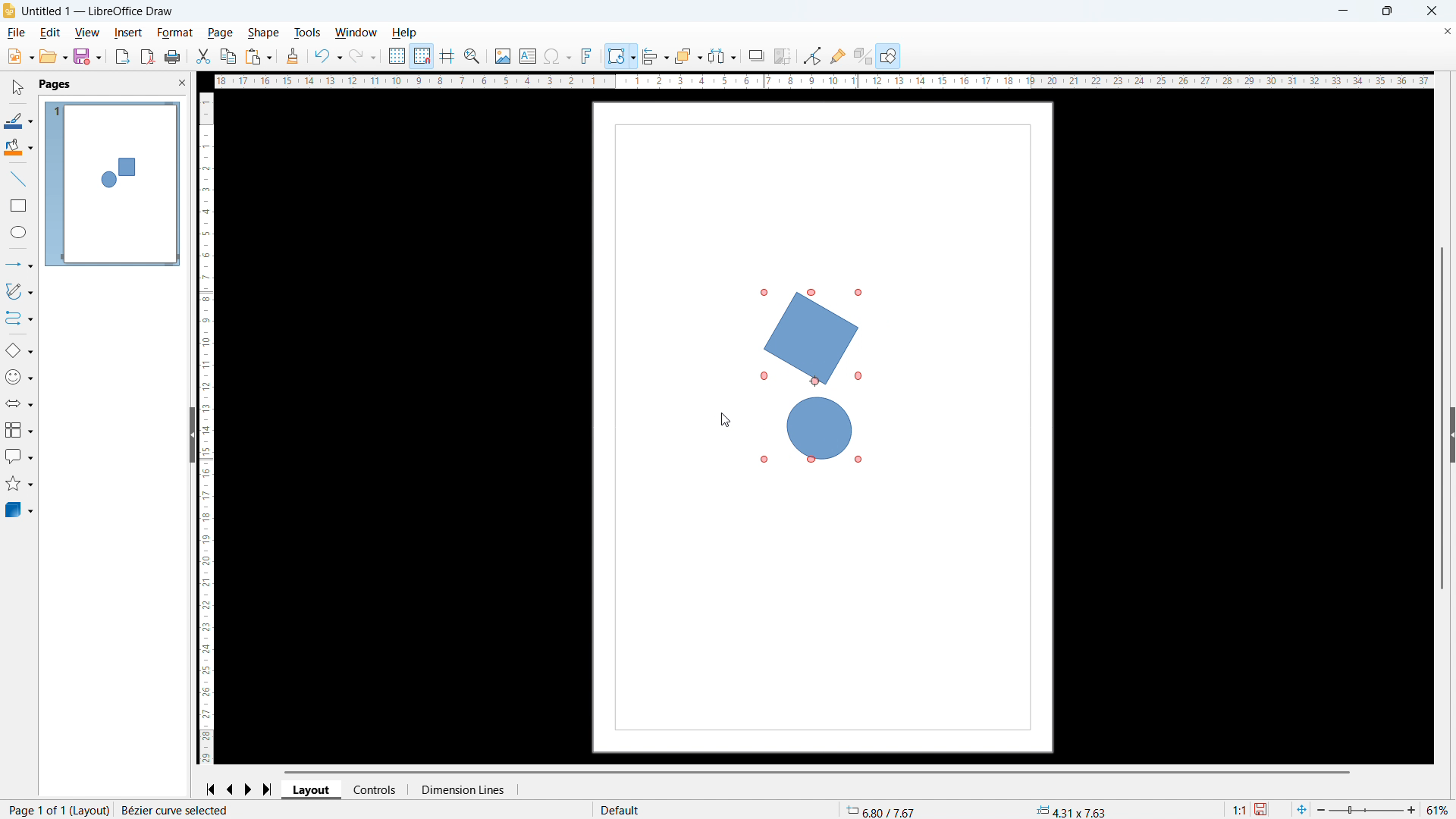 This screenshot has height=819, width=1456. I want to click on Close PANE , so click(182, 82).